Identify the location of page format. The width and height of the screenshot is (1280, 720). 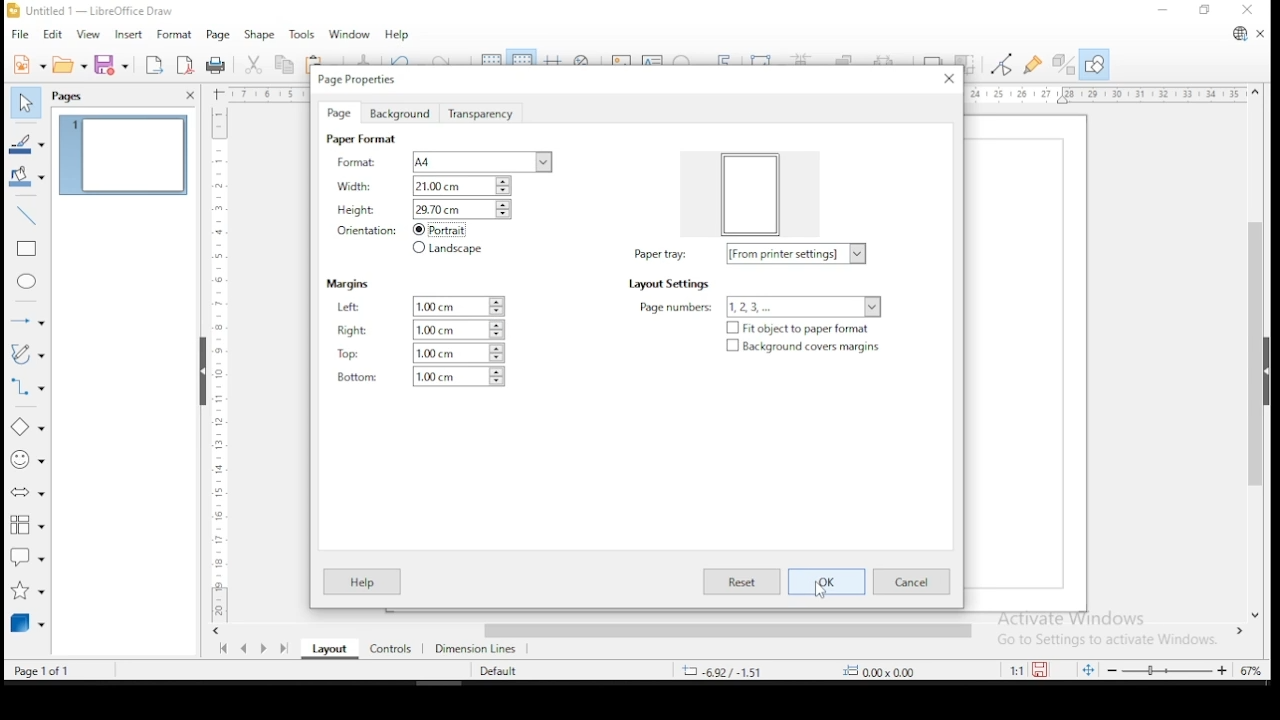
(361, 139).